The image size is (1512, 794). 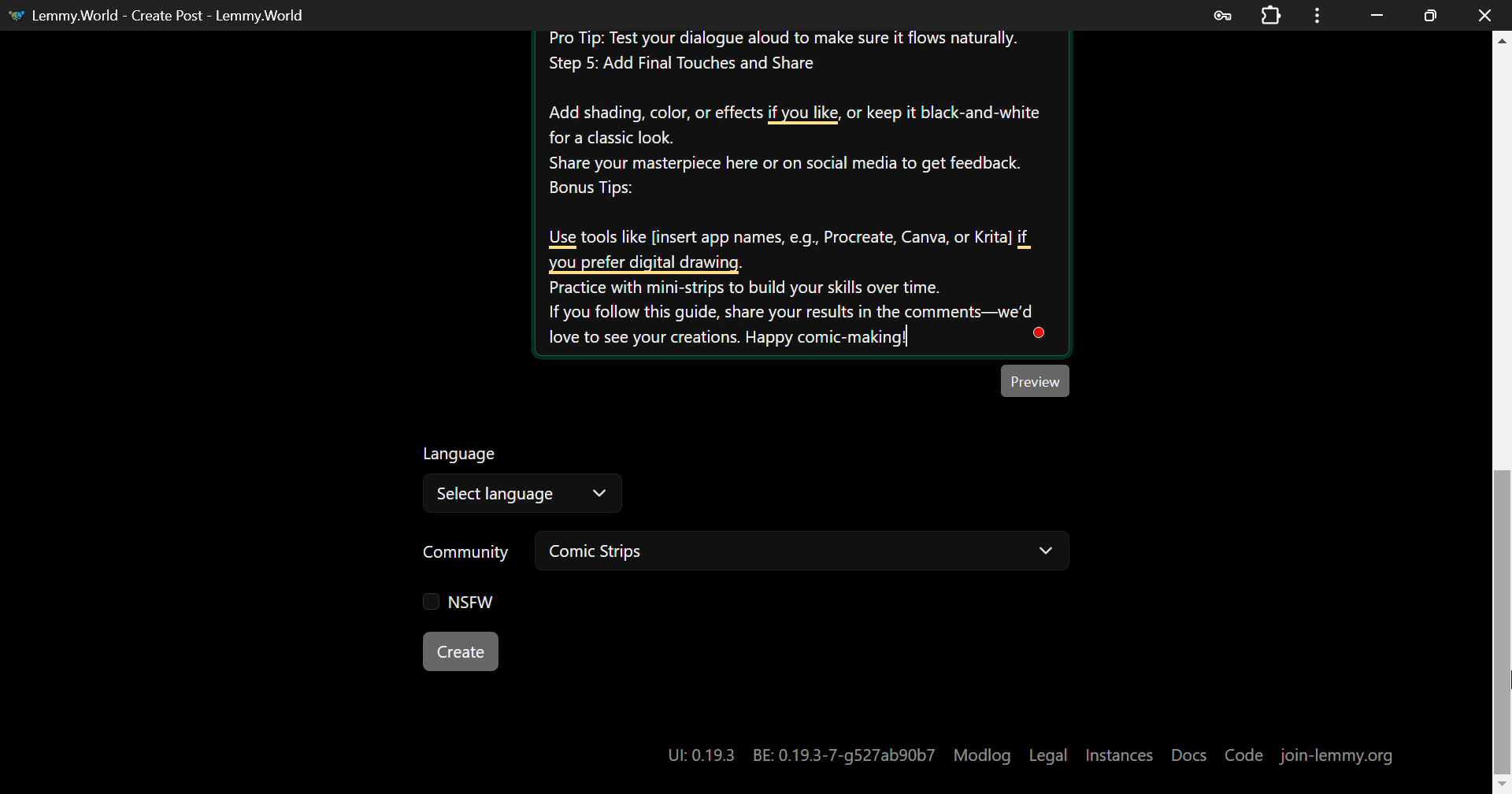 I want to click on Community: Comic Strips, so click(x=739, y=549).